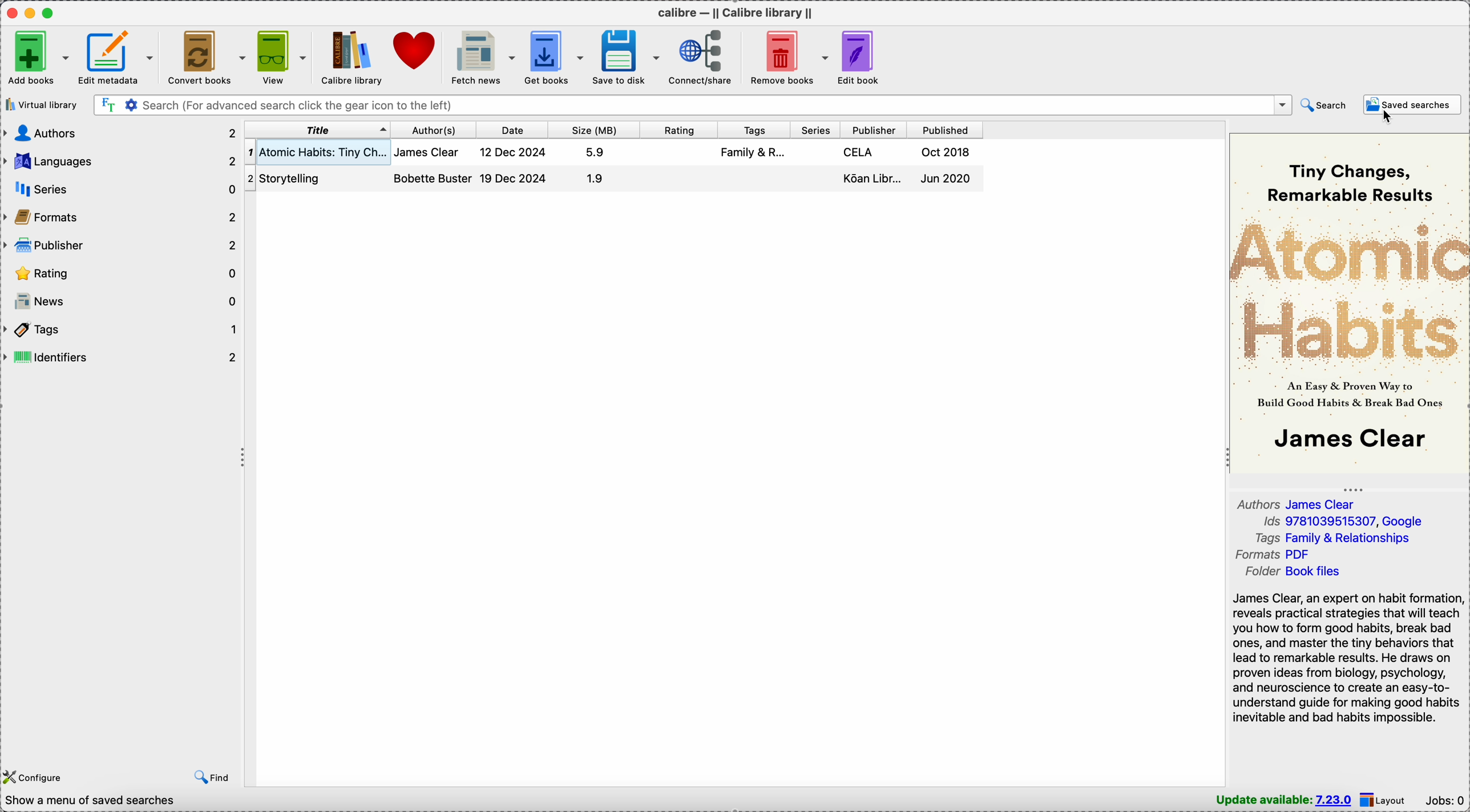 This screenshot has width=1470, height=812. Describe the element at coordinates (701, 56) in the screenshot. I see `connect/share` at that location.